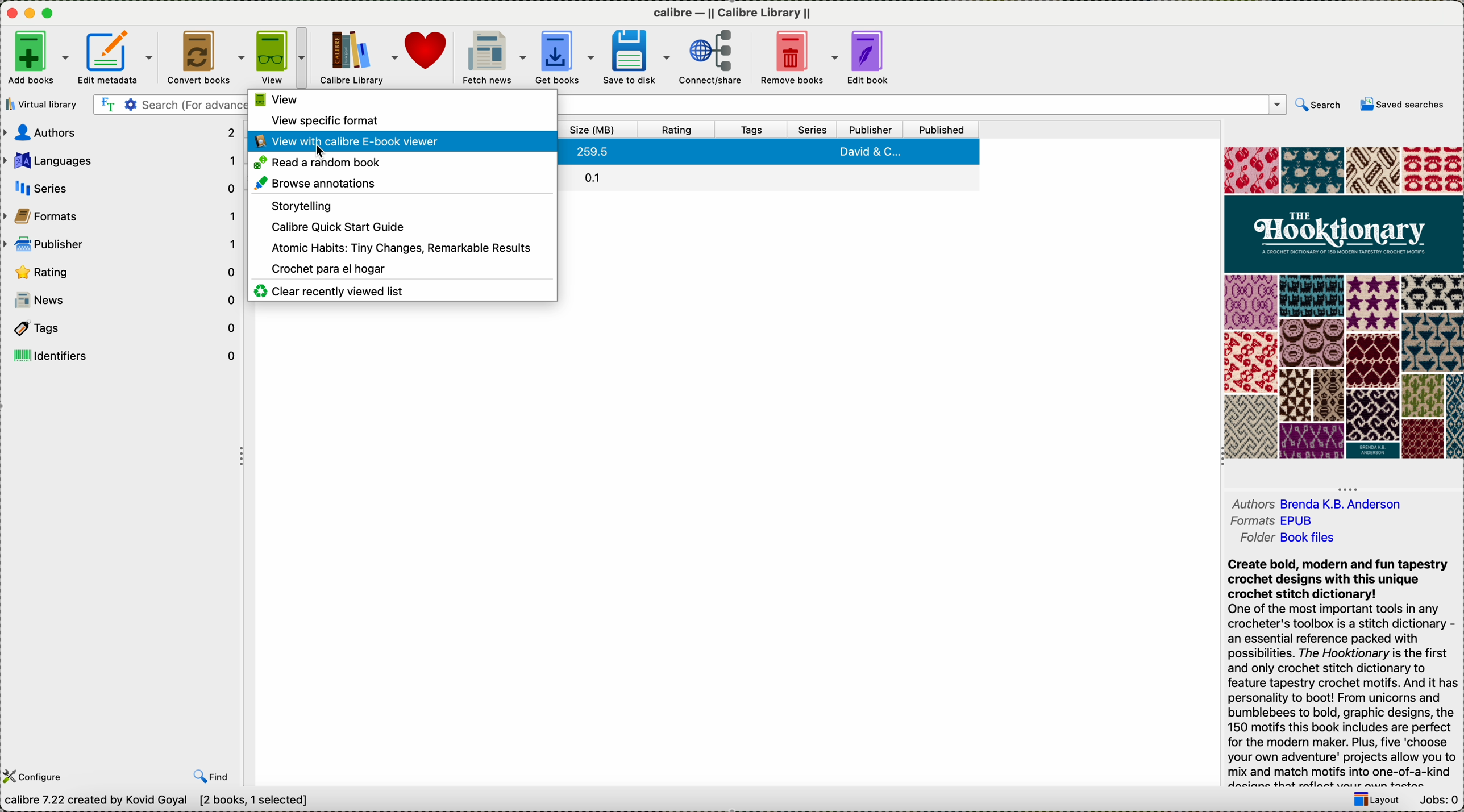 This screenshot has height=812, width=1464. I want to click on Jobs: 0, so click(1440, 801).